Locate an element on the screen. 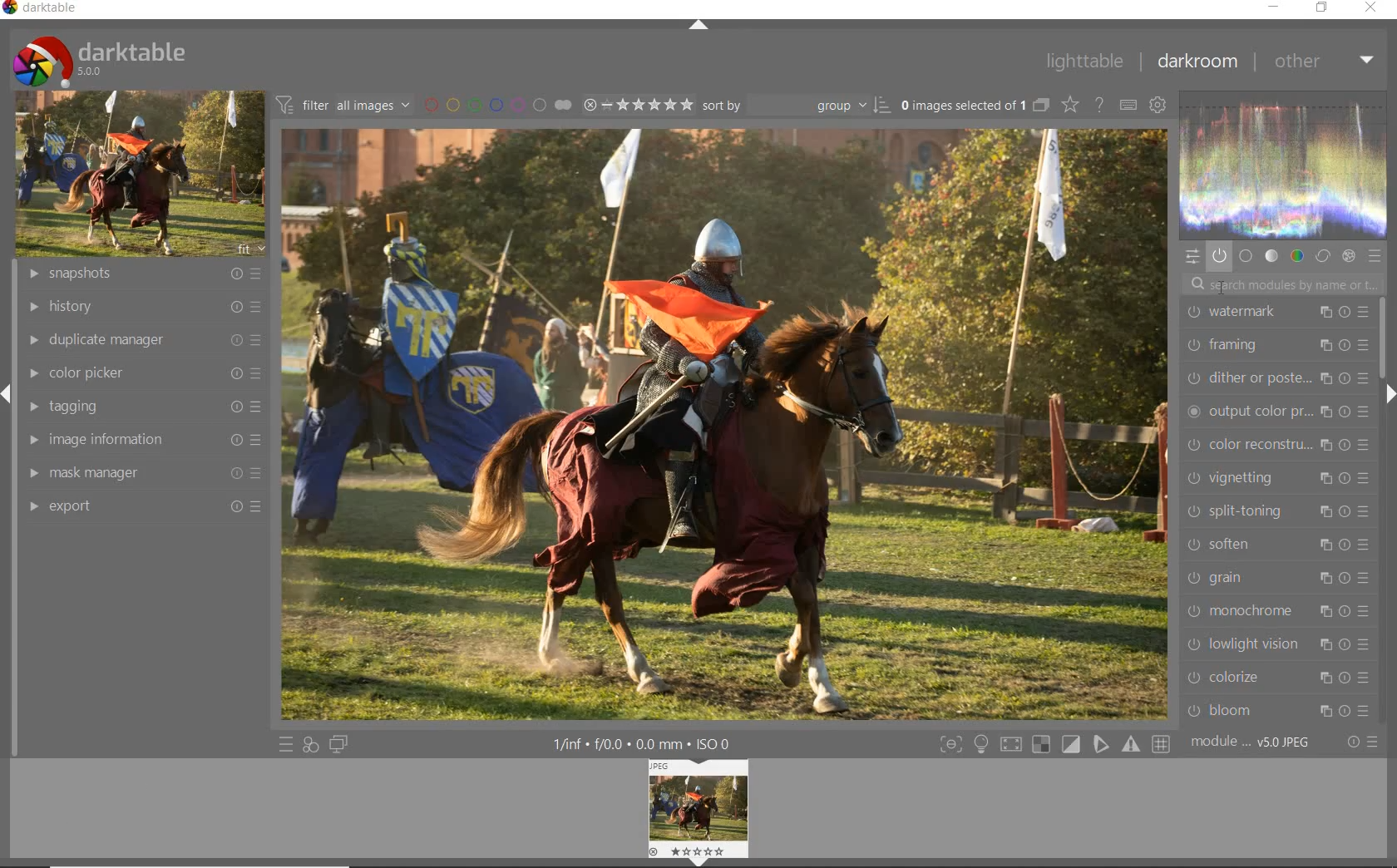  color is located at coordinates (1298, 256).